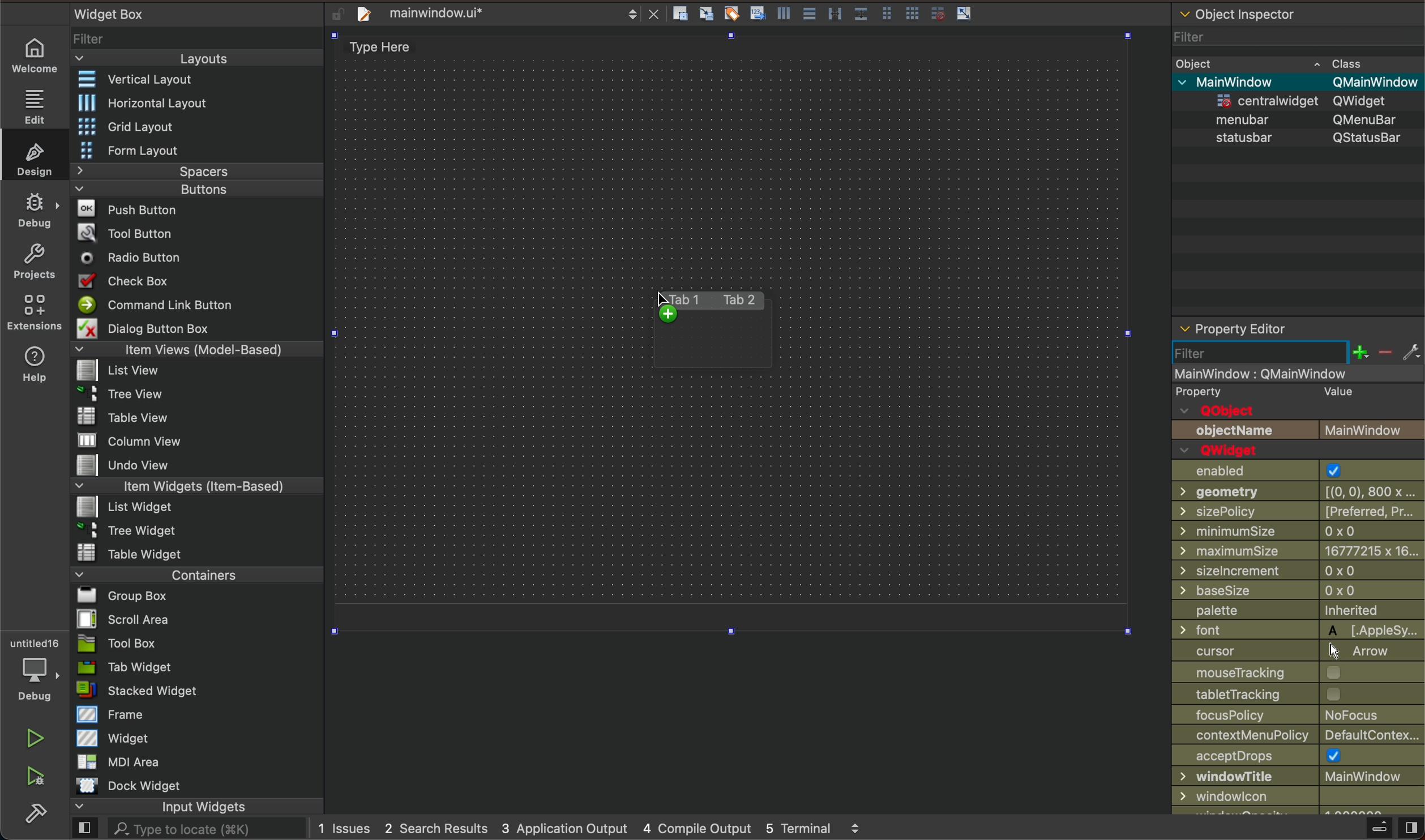 Image resolution: width=1425 pixels, height=840 pixels. I want to click on Check Box, so click(125, 279).